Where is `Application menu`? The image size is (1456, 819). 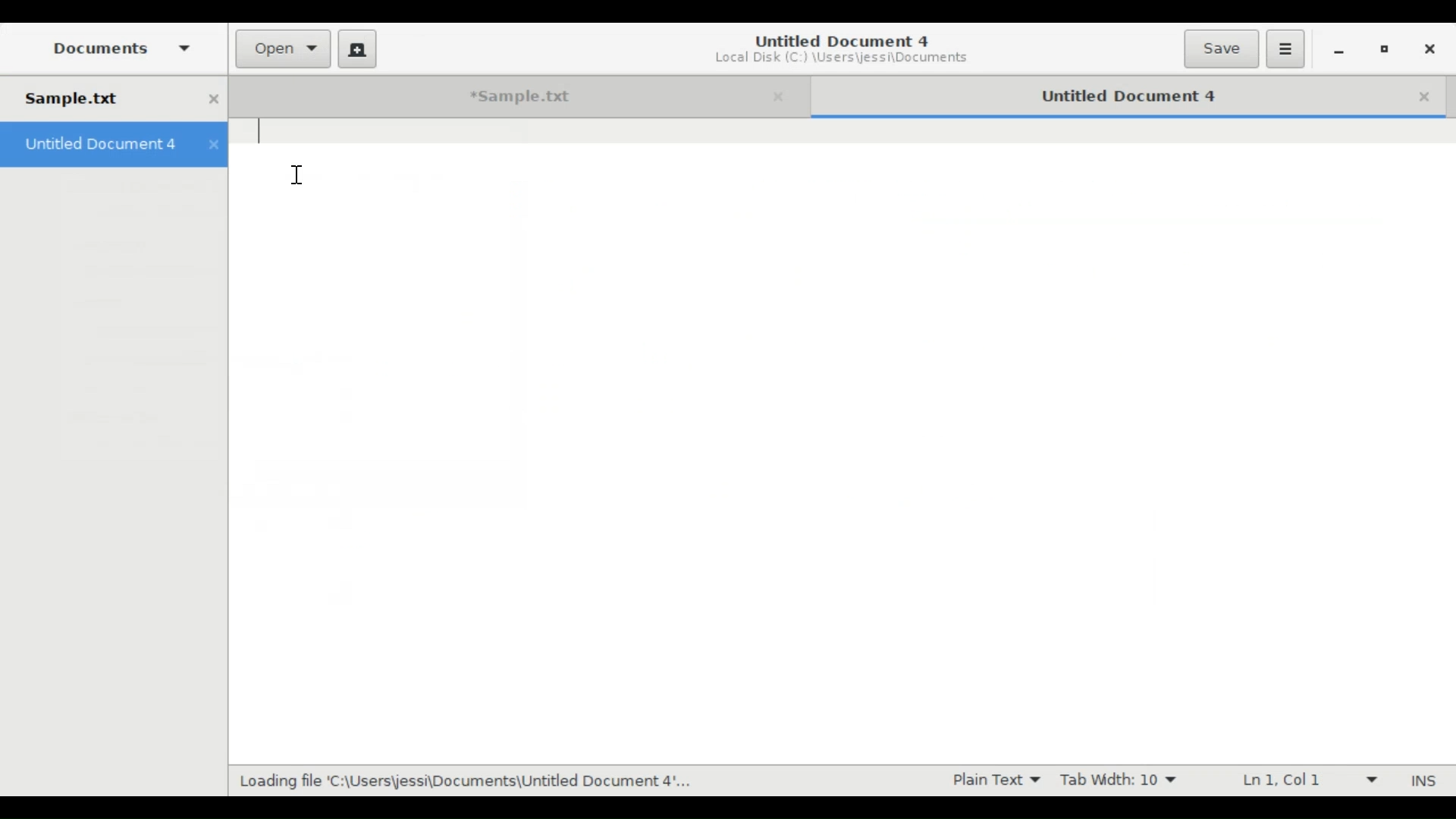 Application menu is located at coordinates (1285, 49).